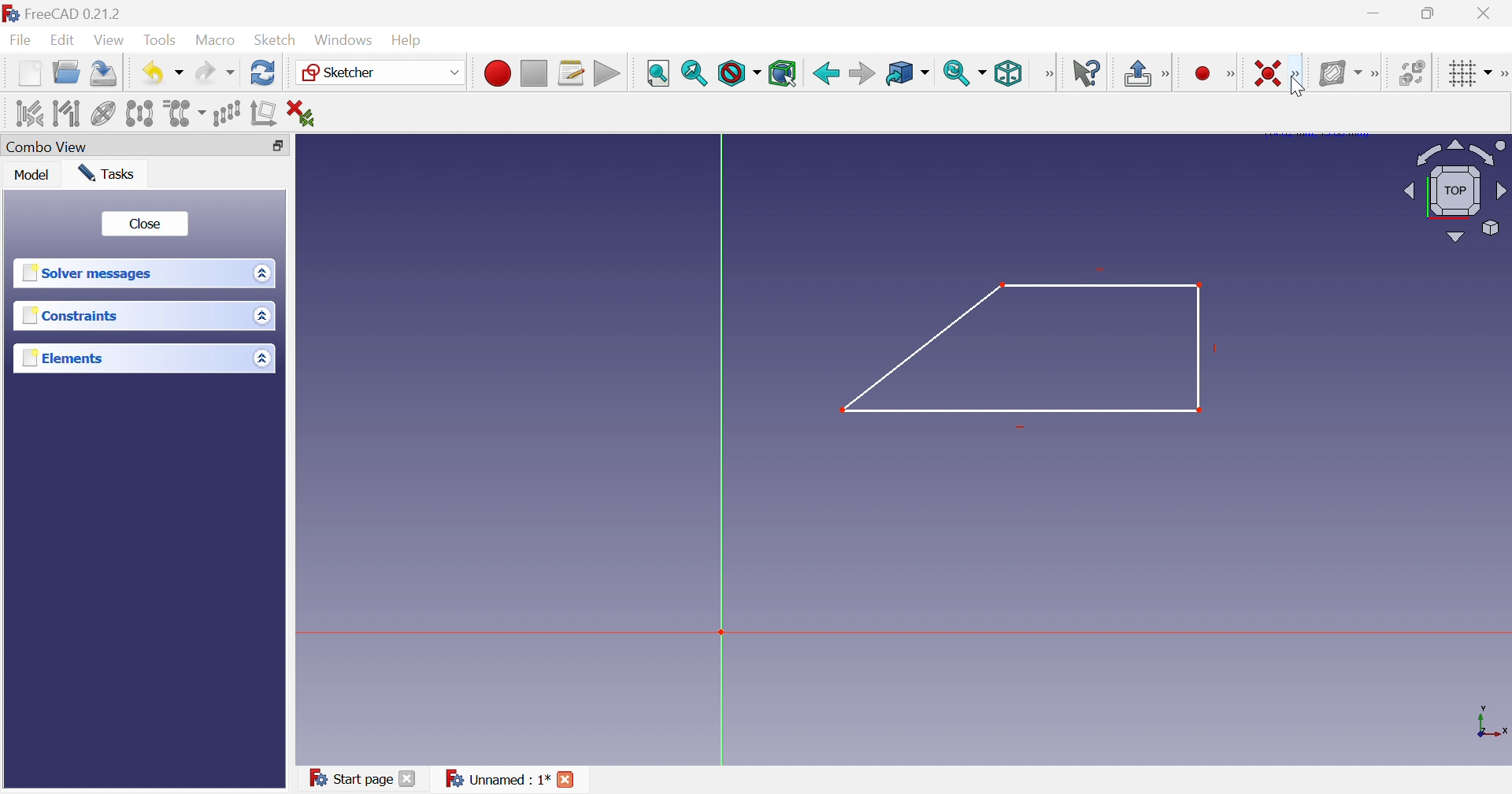 The width and height of the screenshot is (1512, 794). Describe the element at coordinates (985, 72) in the screenshot. I see `Drop Down` at that location.